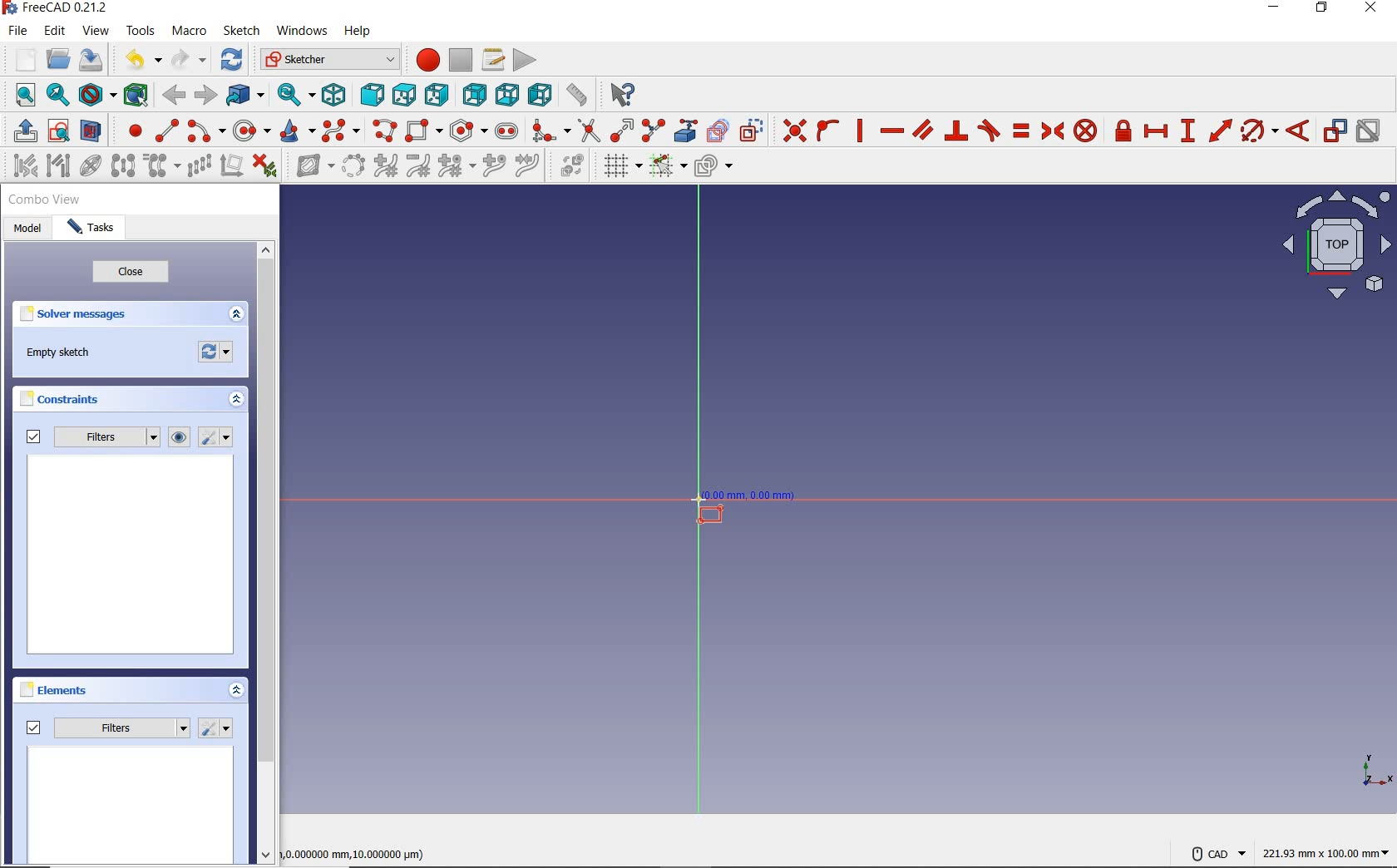  I want to click on constrain symmetrical, so click(1054, 131).